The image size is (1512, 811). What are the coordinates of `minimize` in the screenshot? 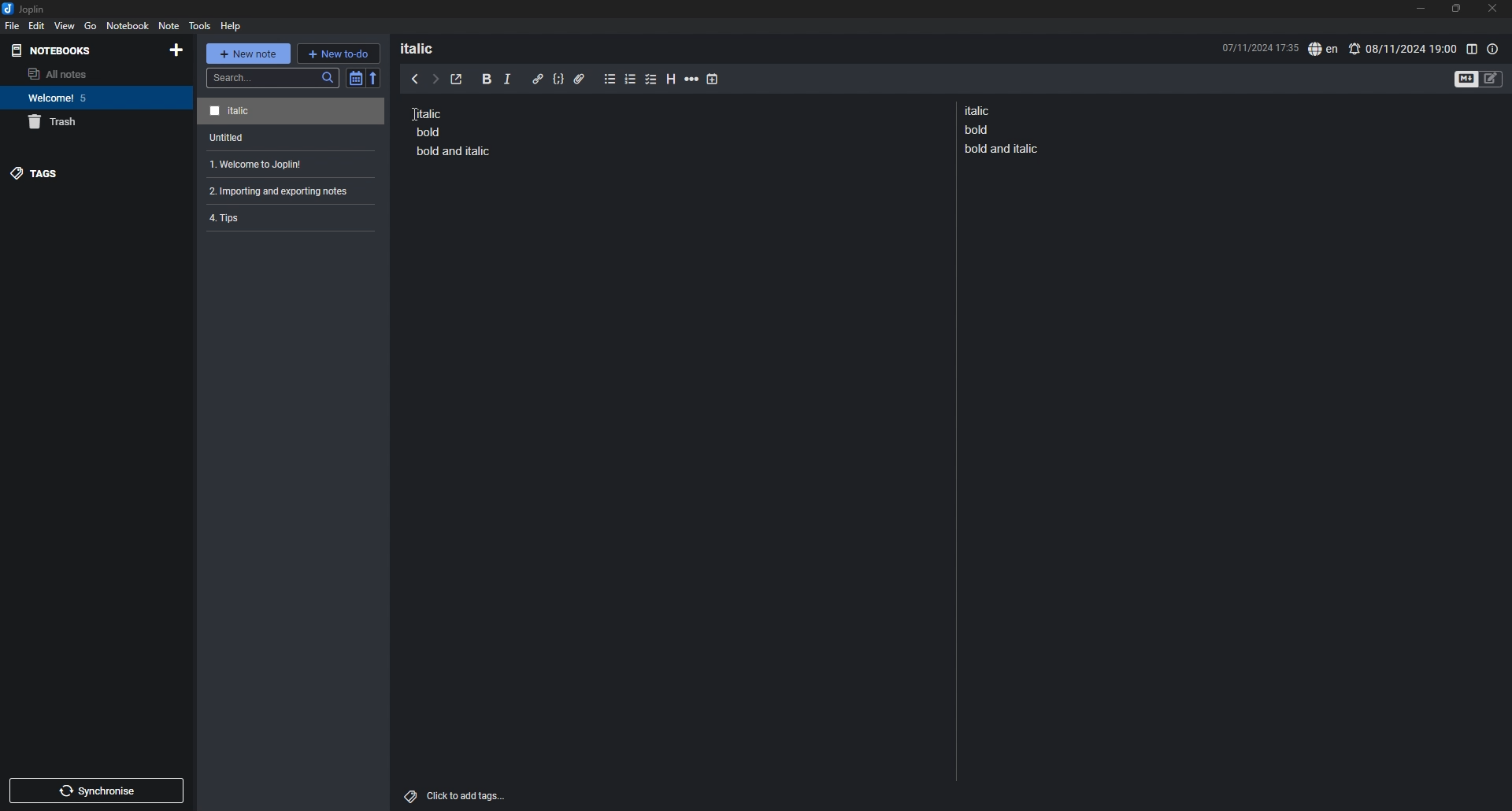 It's located at (1420, 8).